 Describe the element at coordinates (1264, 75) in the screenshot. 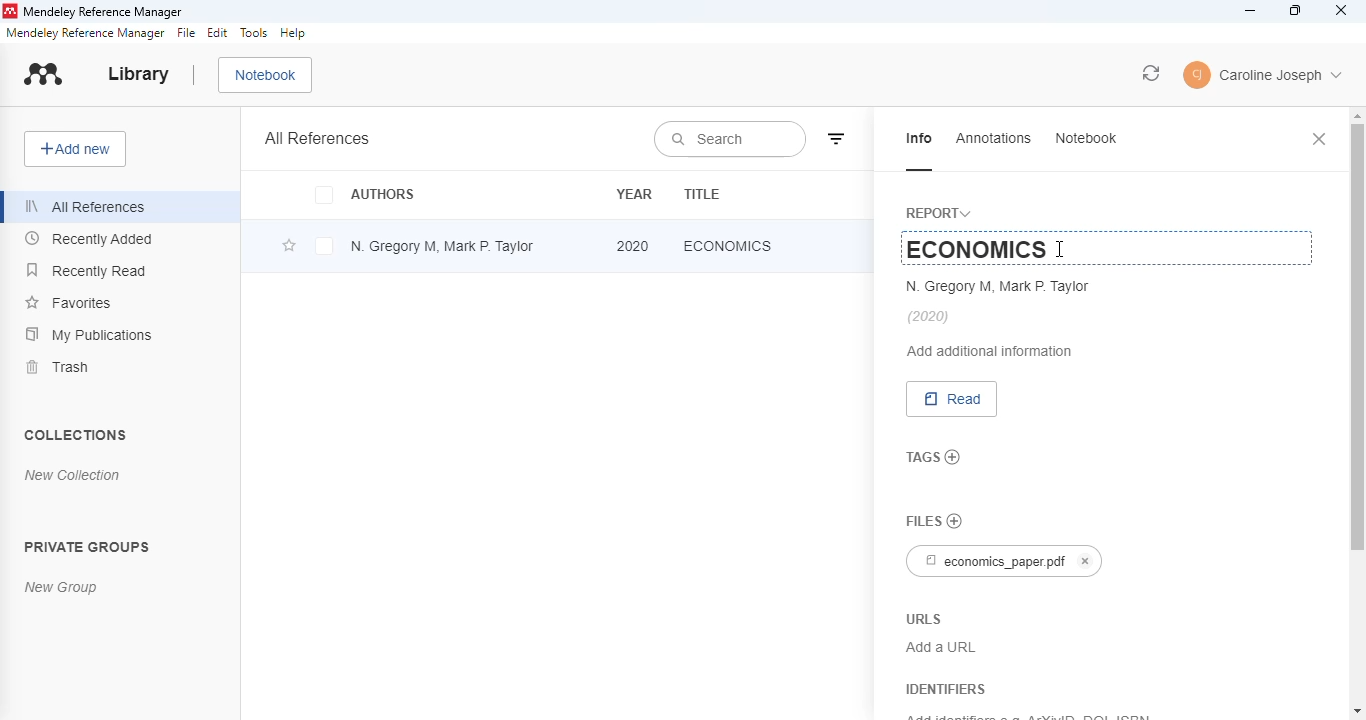

I see `profile` at that location.